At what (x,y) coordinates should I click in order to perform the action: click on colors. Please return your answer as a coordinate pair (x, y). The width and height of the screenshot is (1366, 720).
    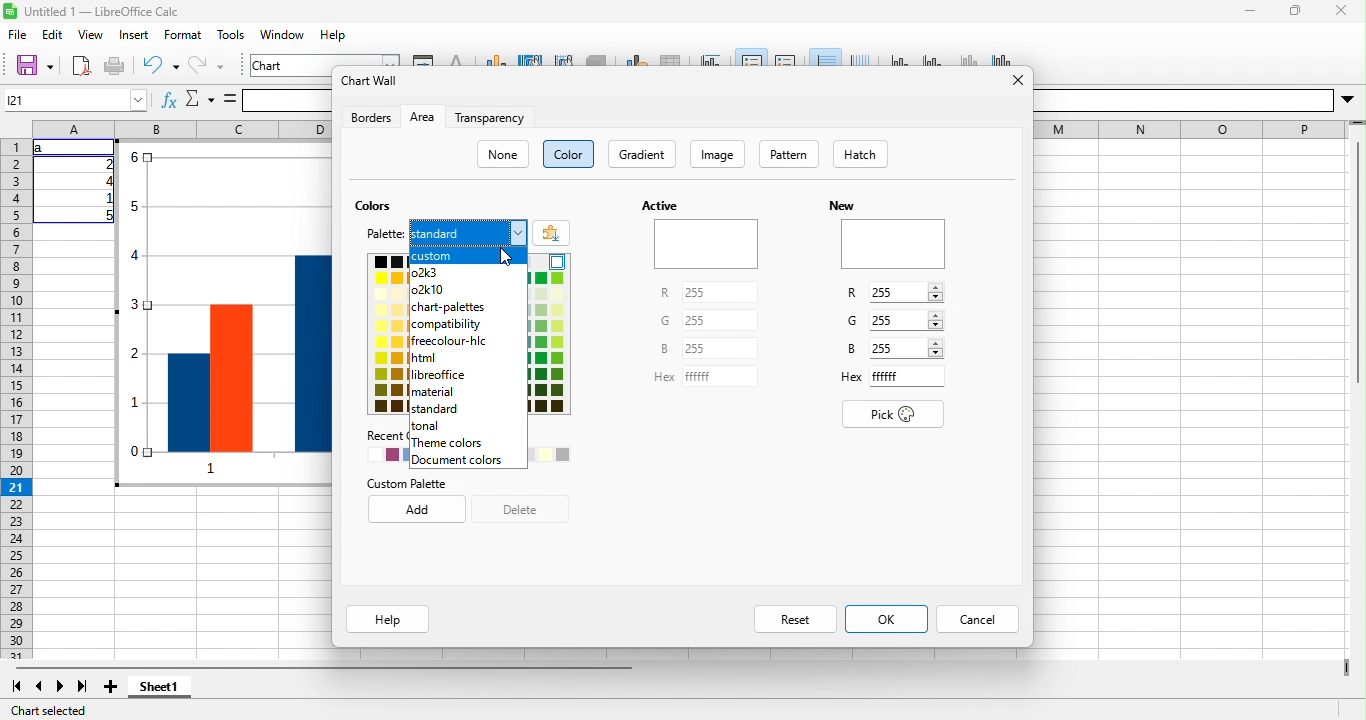
    Looking at the image, I should click on (373, 205).